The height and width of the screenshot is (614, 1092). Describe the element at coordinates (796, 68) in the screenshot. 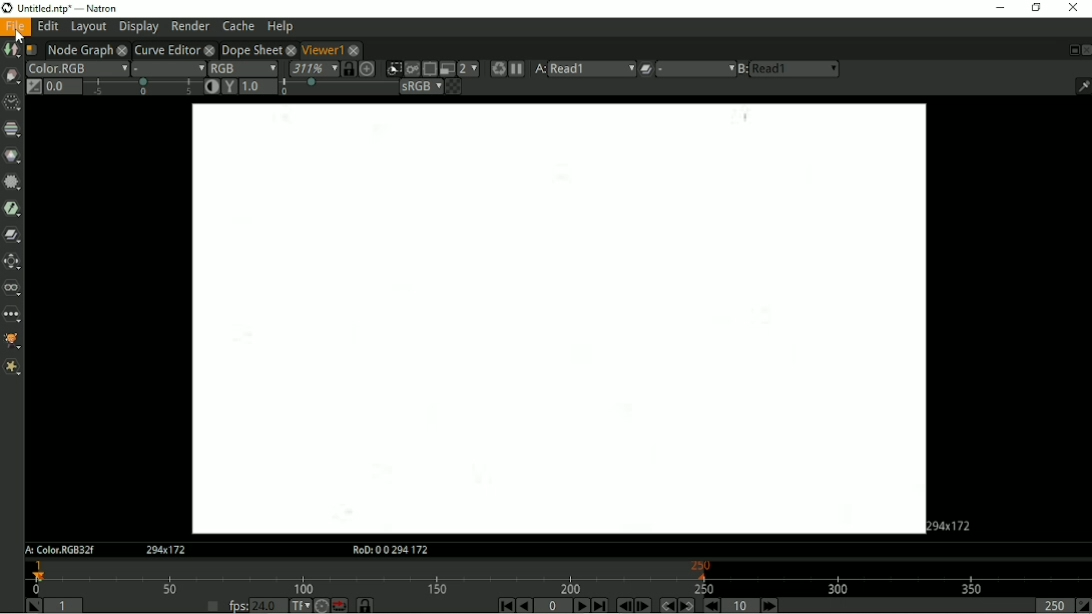

I see `read1` at that location.